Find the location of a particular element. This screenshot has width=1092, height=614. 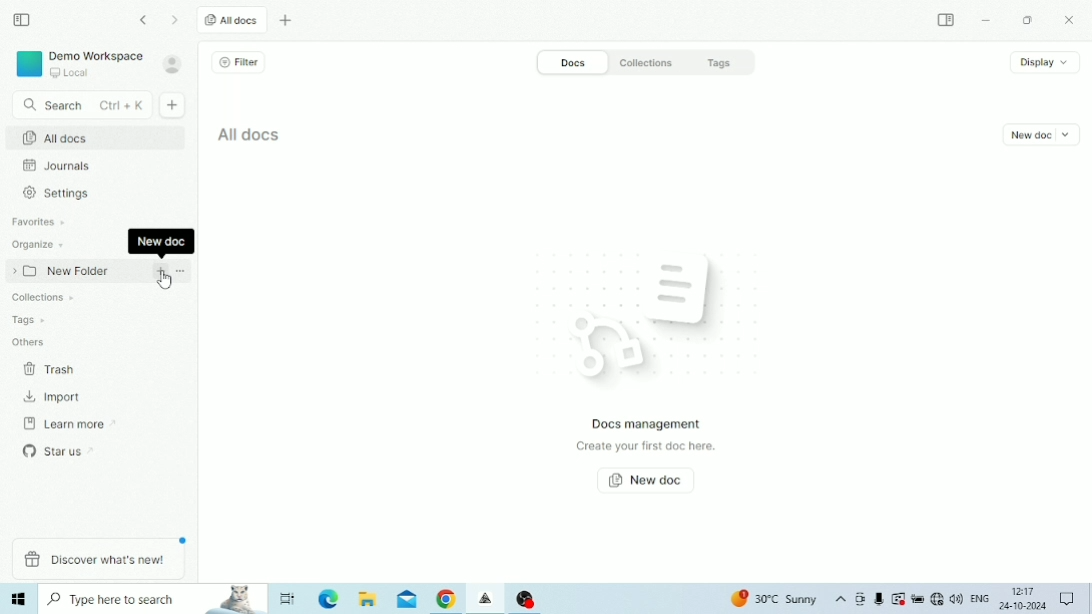

Create your first doc here is located at coordinates (648, 448).